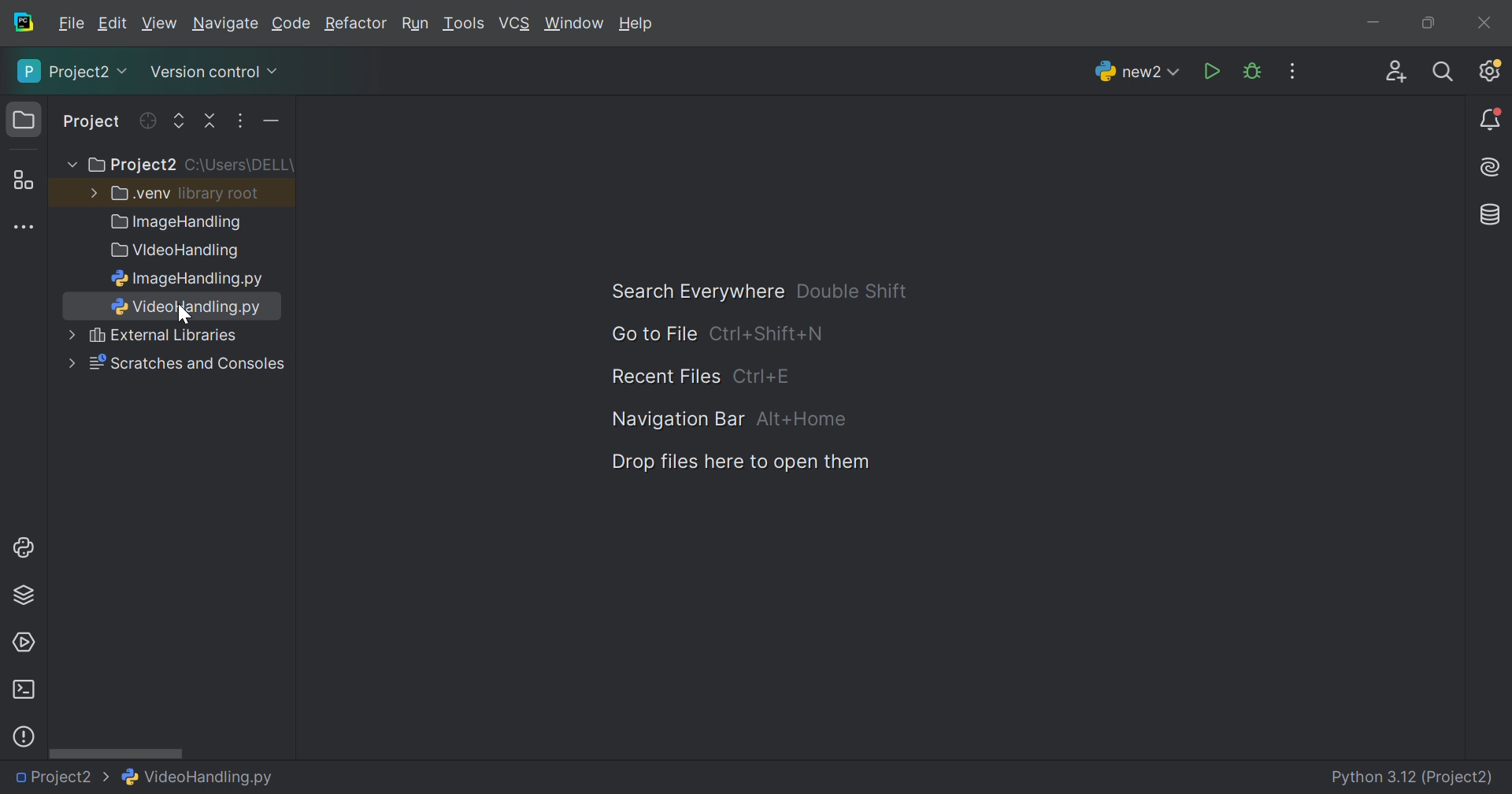 The image size is (1512, 794). I want to click on Services, so click(23, 643).